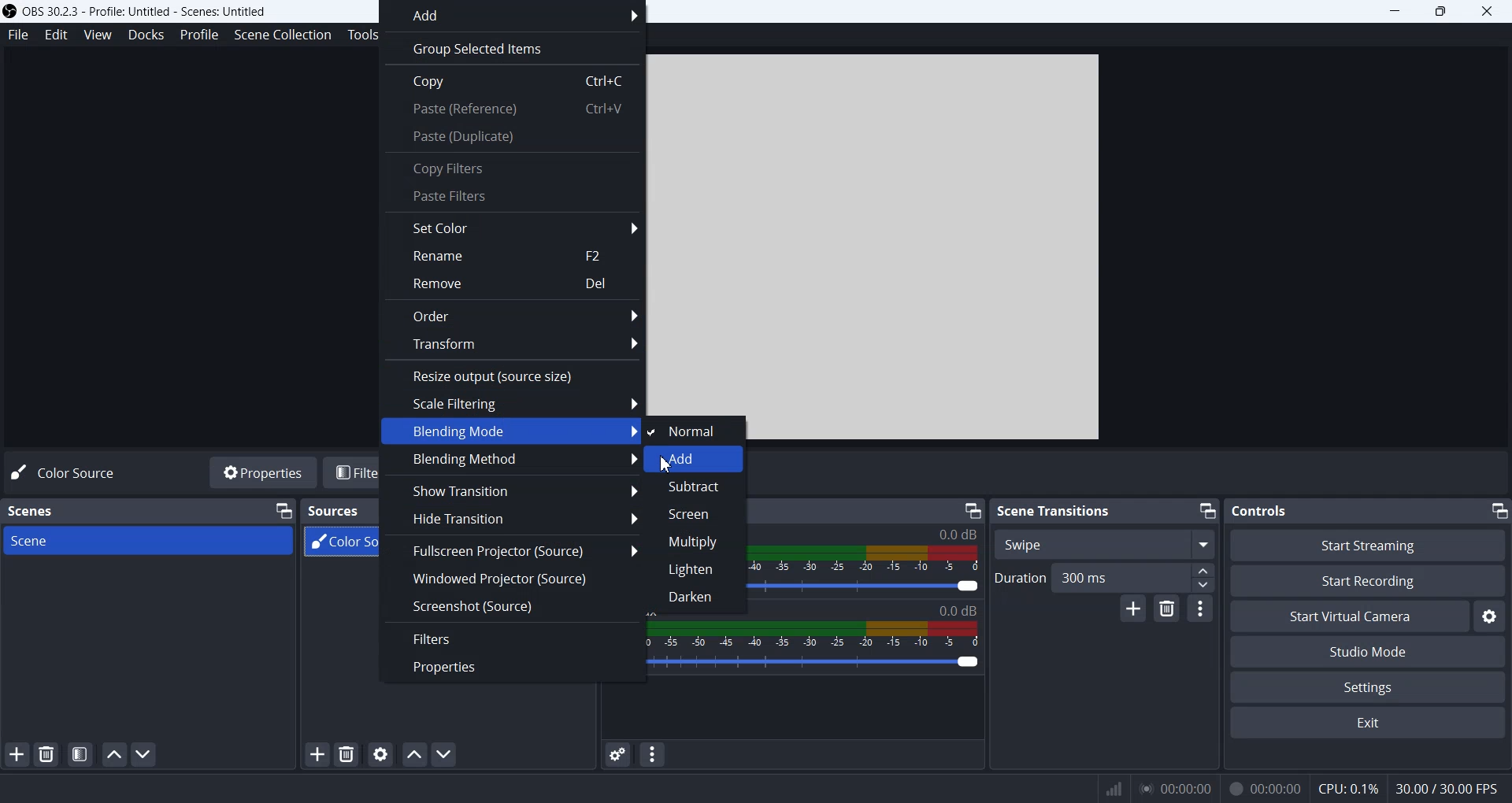 This screenshot has width=1512, height=803. I want to click on Fullscreen Projector (source), so click(513, 550).